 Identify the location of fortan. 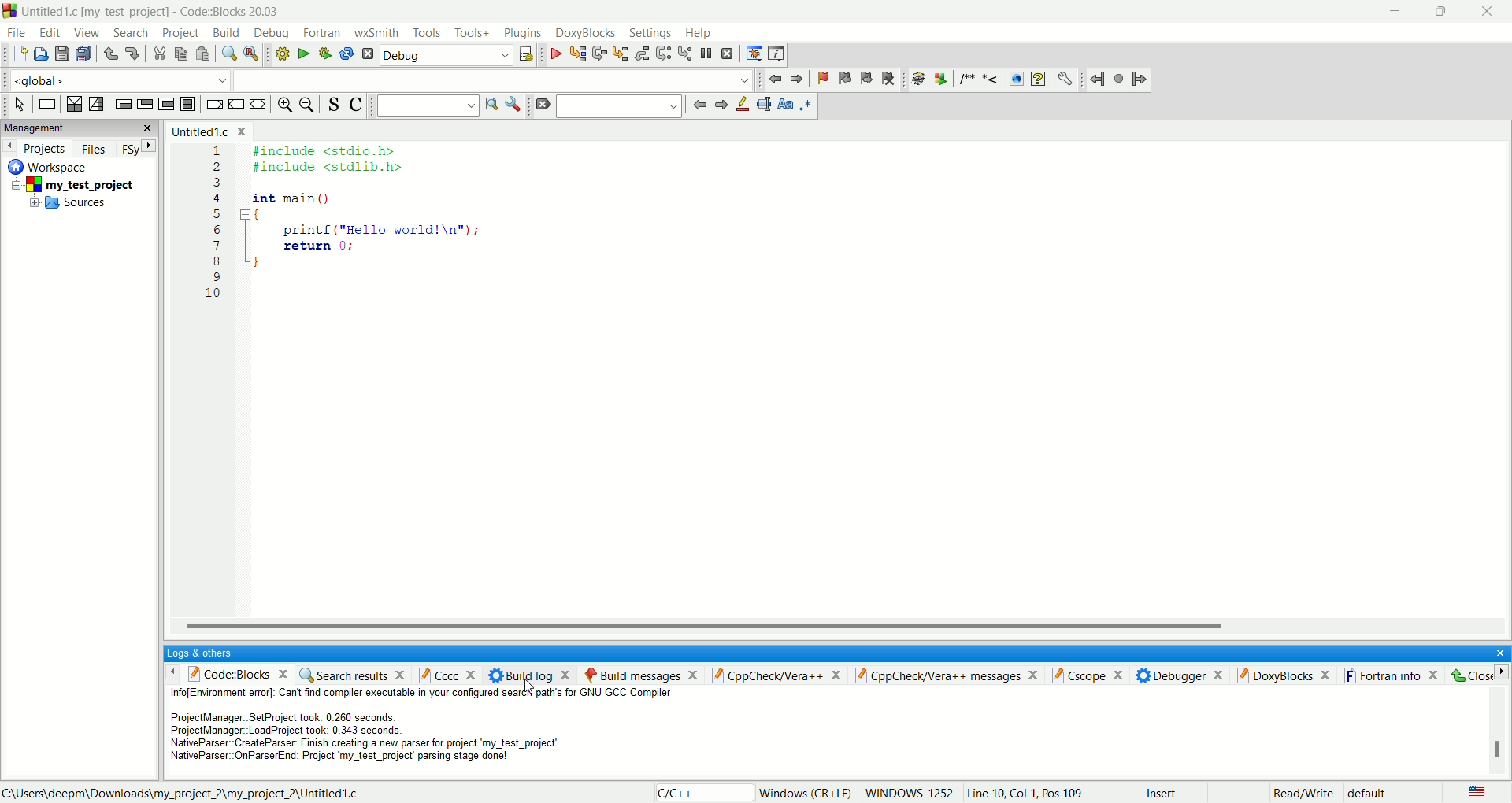
(324, 34).